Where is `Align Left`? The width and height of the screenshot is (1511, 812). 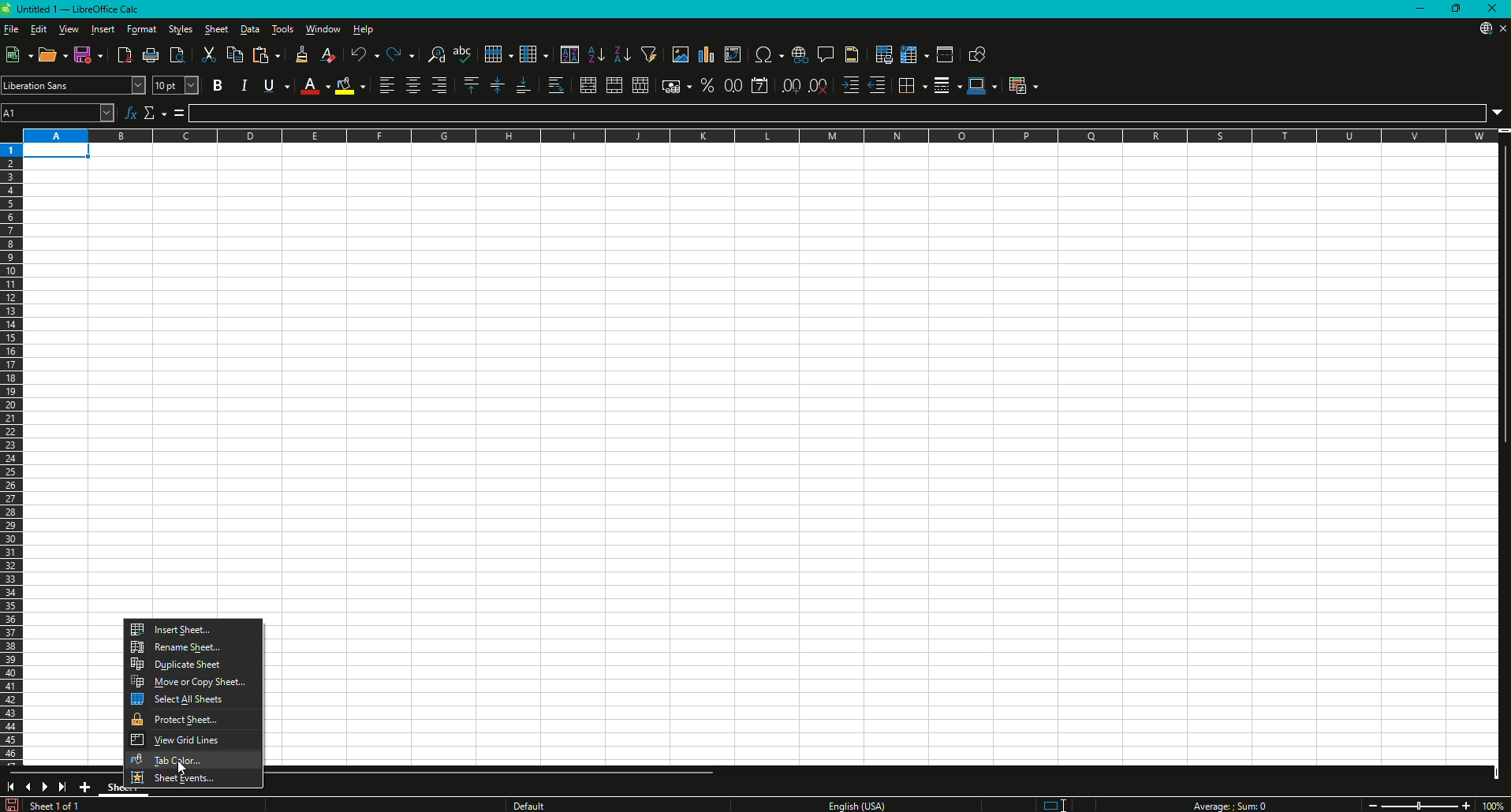
Align Left is located at coordinates (387, 84).